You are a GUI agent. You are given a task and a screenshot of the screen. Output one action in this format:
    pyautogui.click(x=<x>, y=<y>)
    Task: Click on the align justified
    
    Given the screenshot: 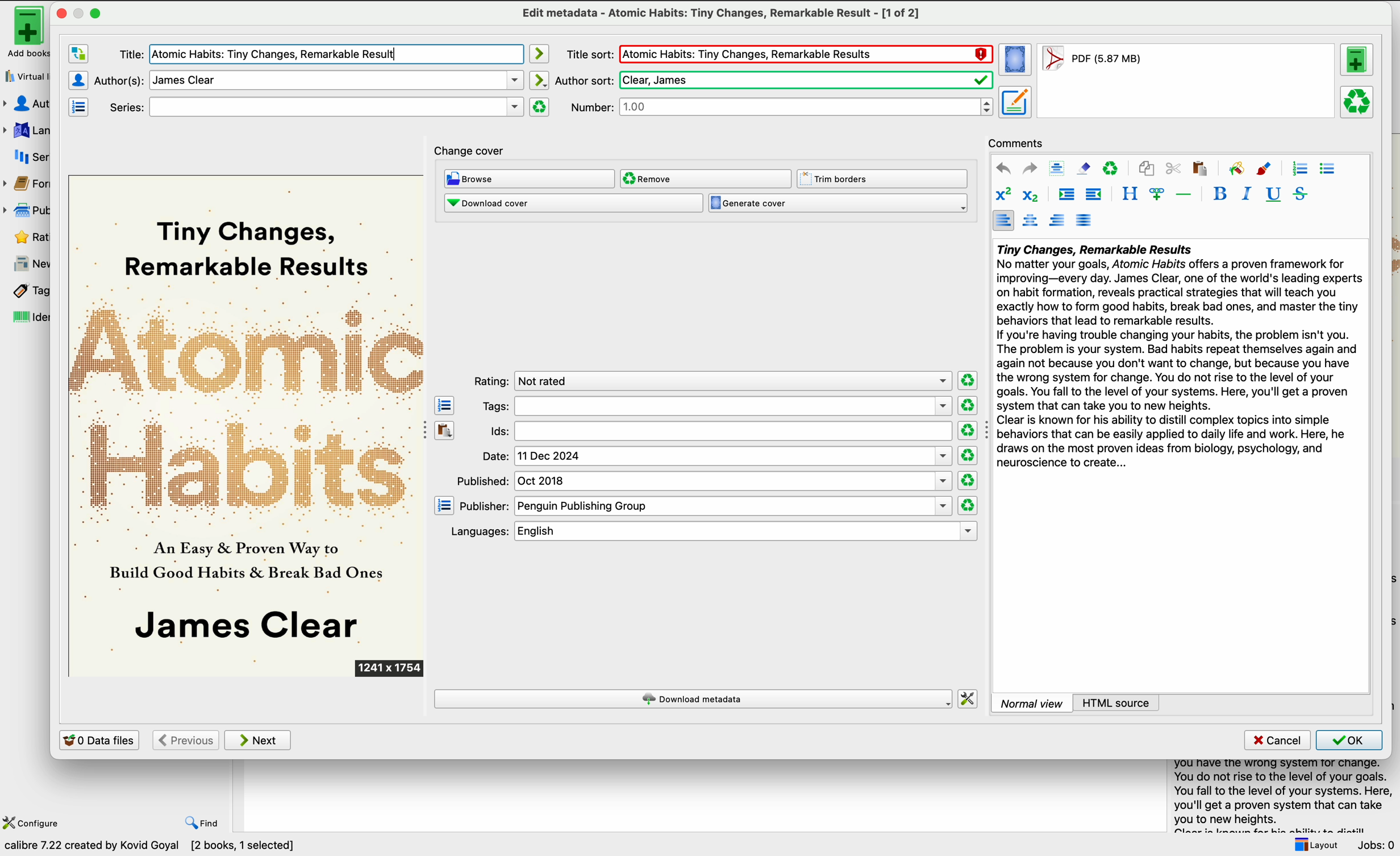 What is the action you would take?
    pyautogui.click(x=1085, y=220)
    